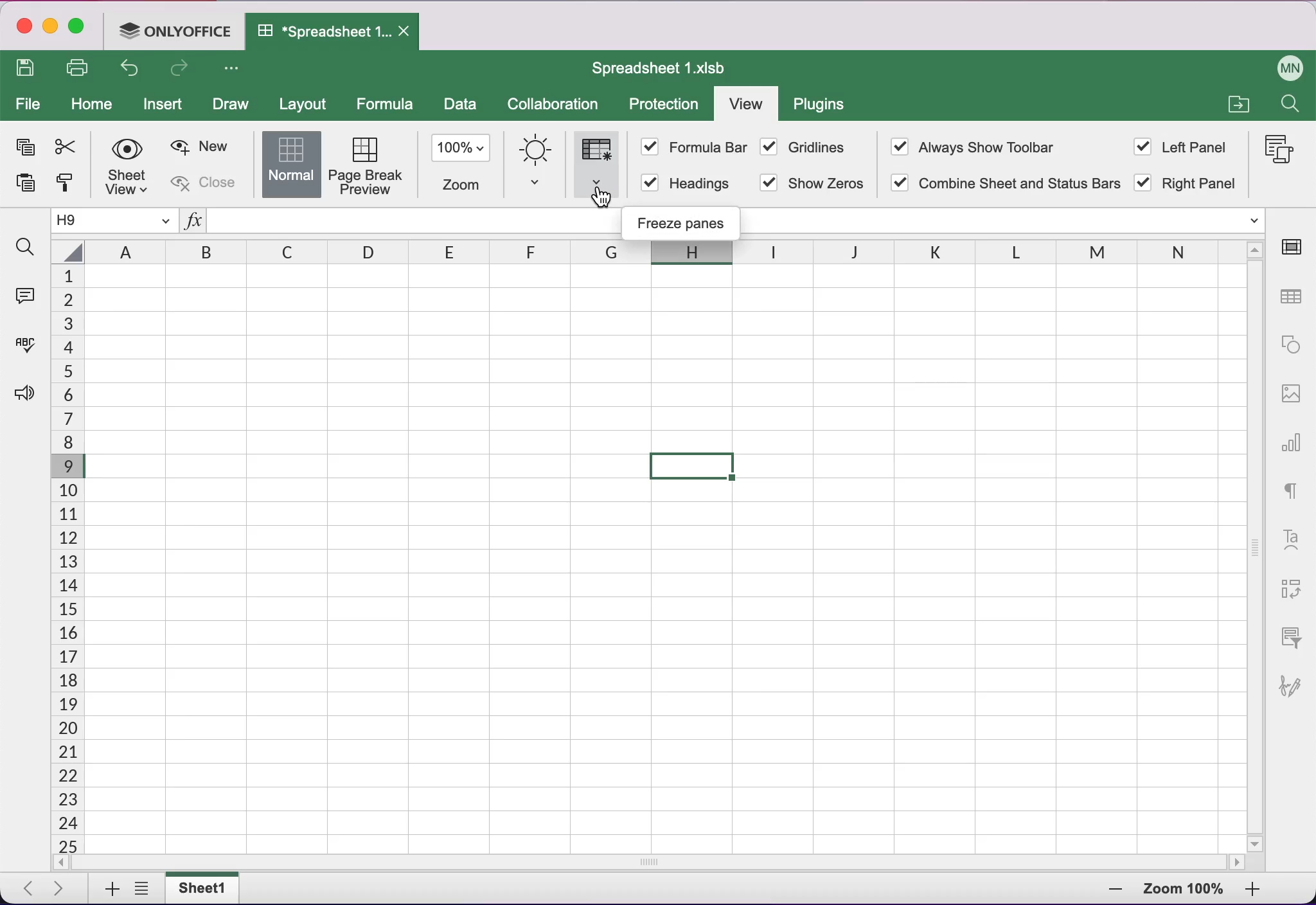  I want to click on print, so click(80, 66).